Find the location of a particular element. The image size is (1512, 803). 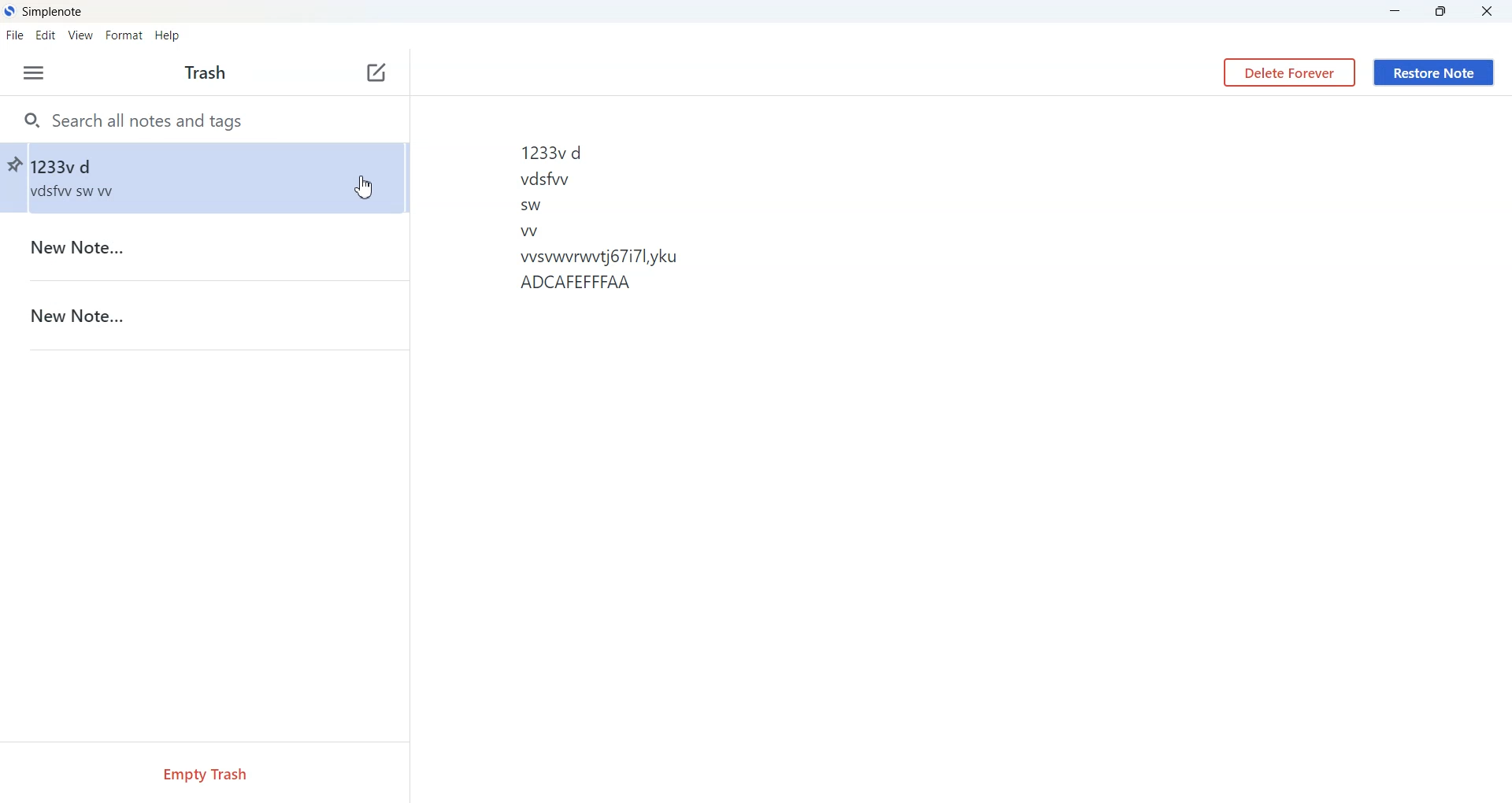

New Note is located at coordinates (377, 75).